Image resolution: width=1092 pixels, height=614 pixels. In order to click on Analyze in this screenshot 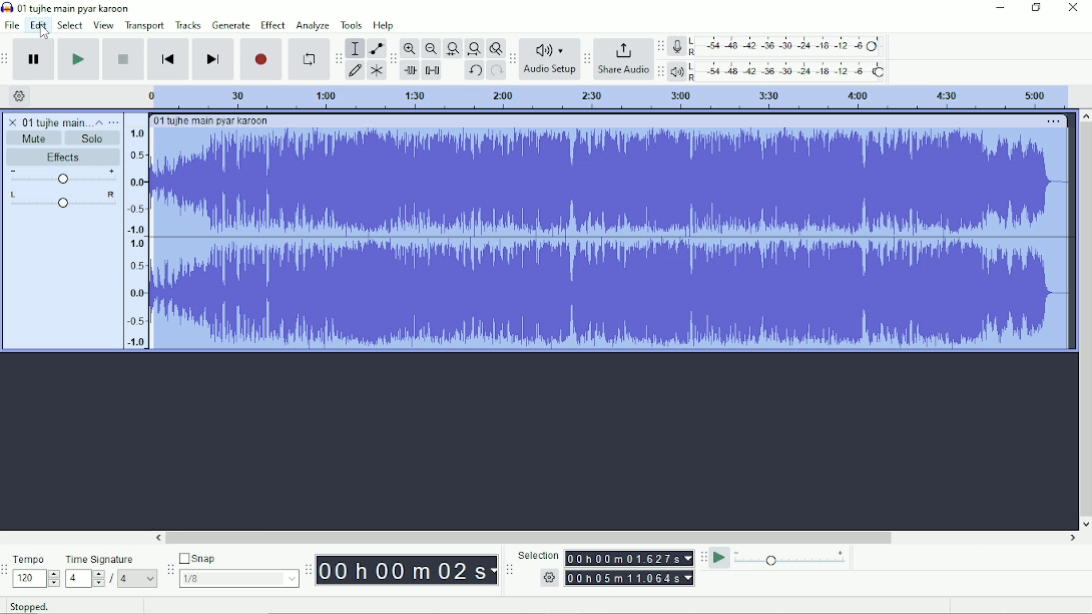, I will do `click(313, 25)`.